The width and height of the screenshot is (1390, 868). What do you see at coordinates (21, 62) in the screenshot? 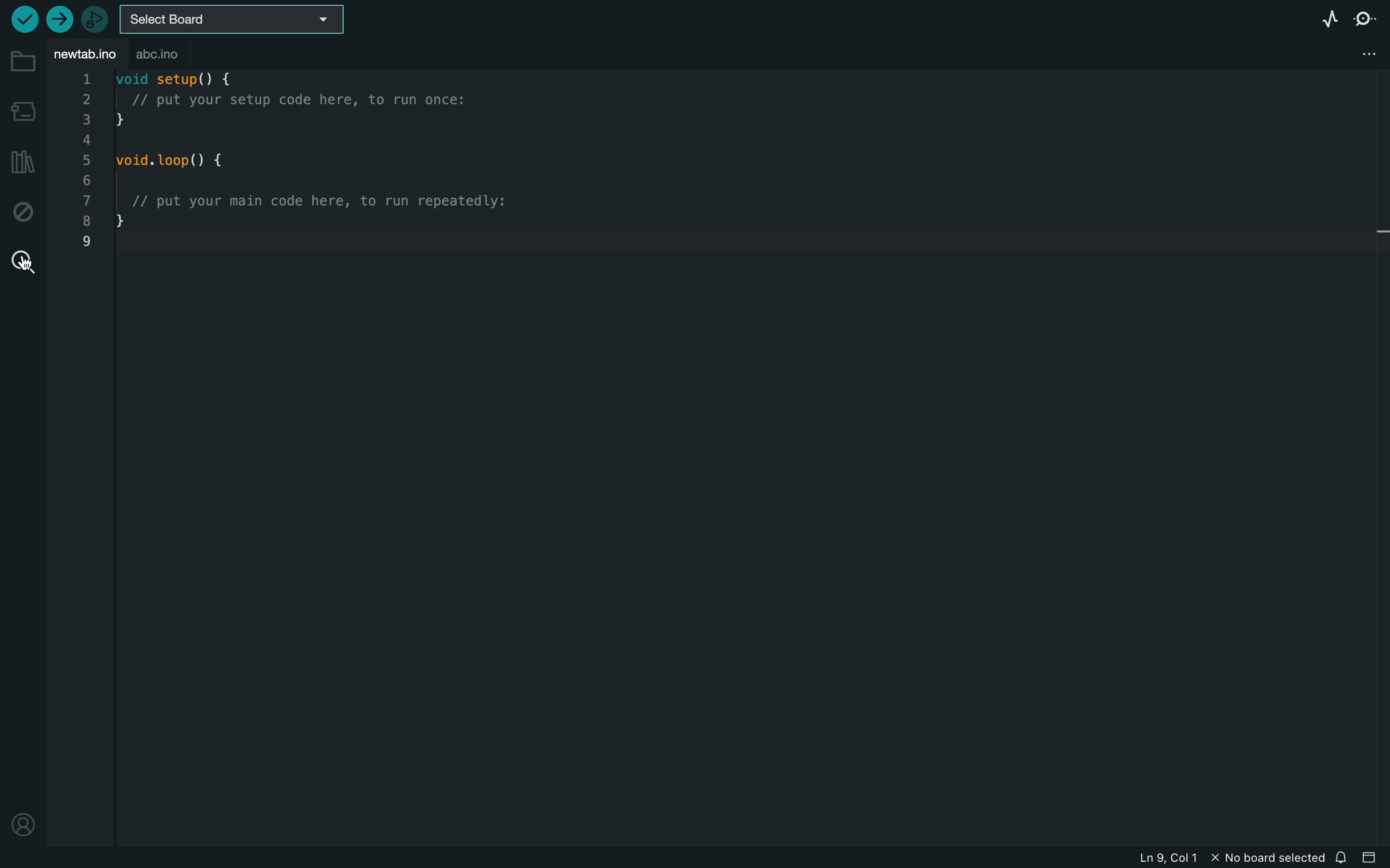
I see `folder` at bounding box center [21, 62].